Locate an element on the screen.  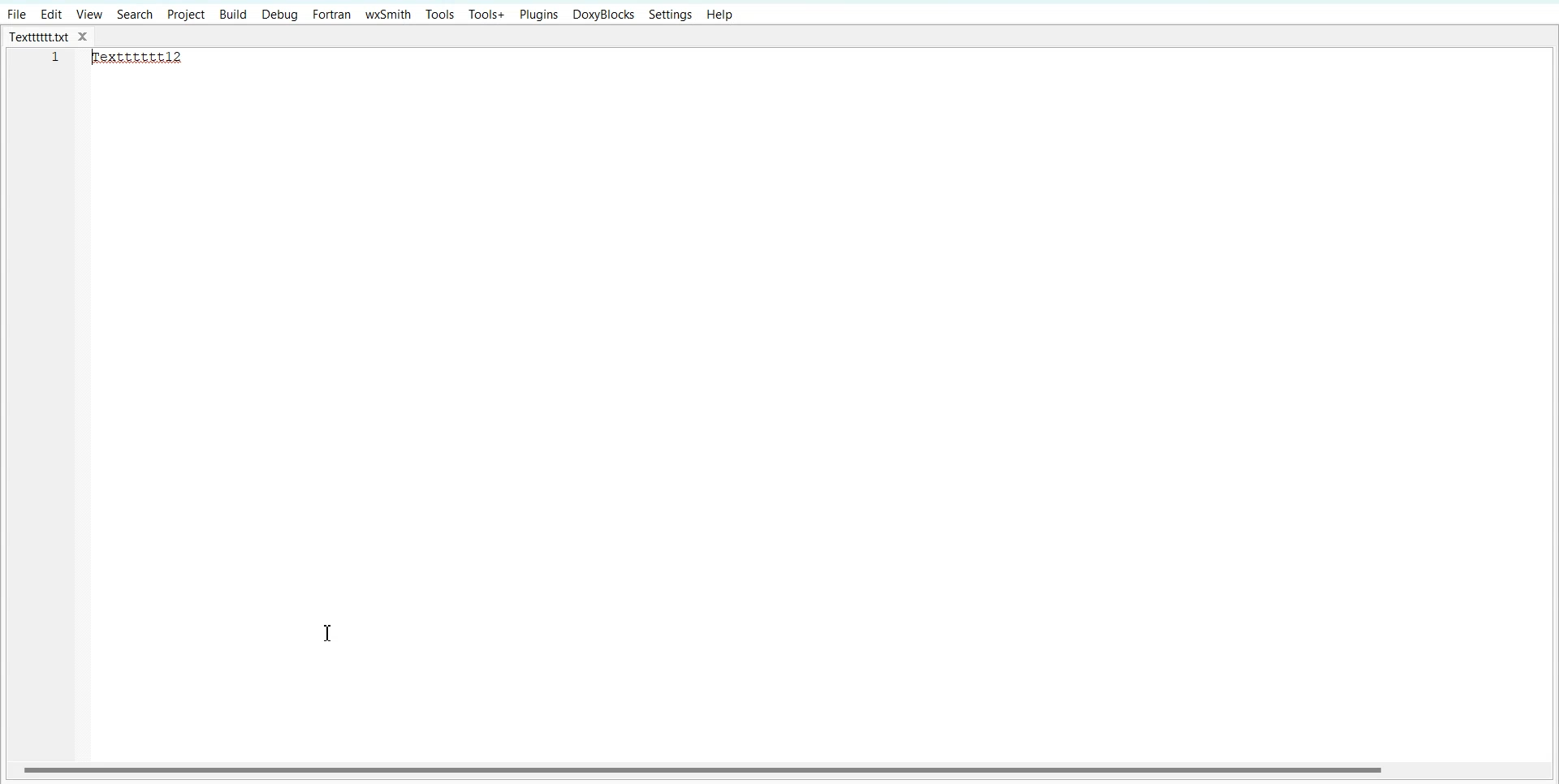
Horizontal scroll bar is located at coordinates (705, 769).